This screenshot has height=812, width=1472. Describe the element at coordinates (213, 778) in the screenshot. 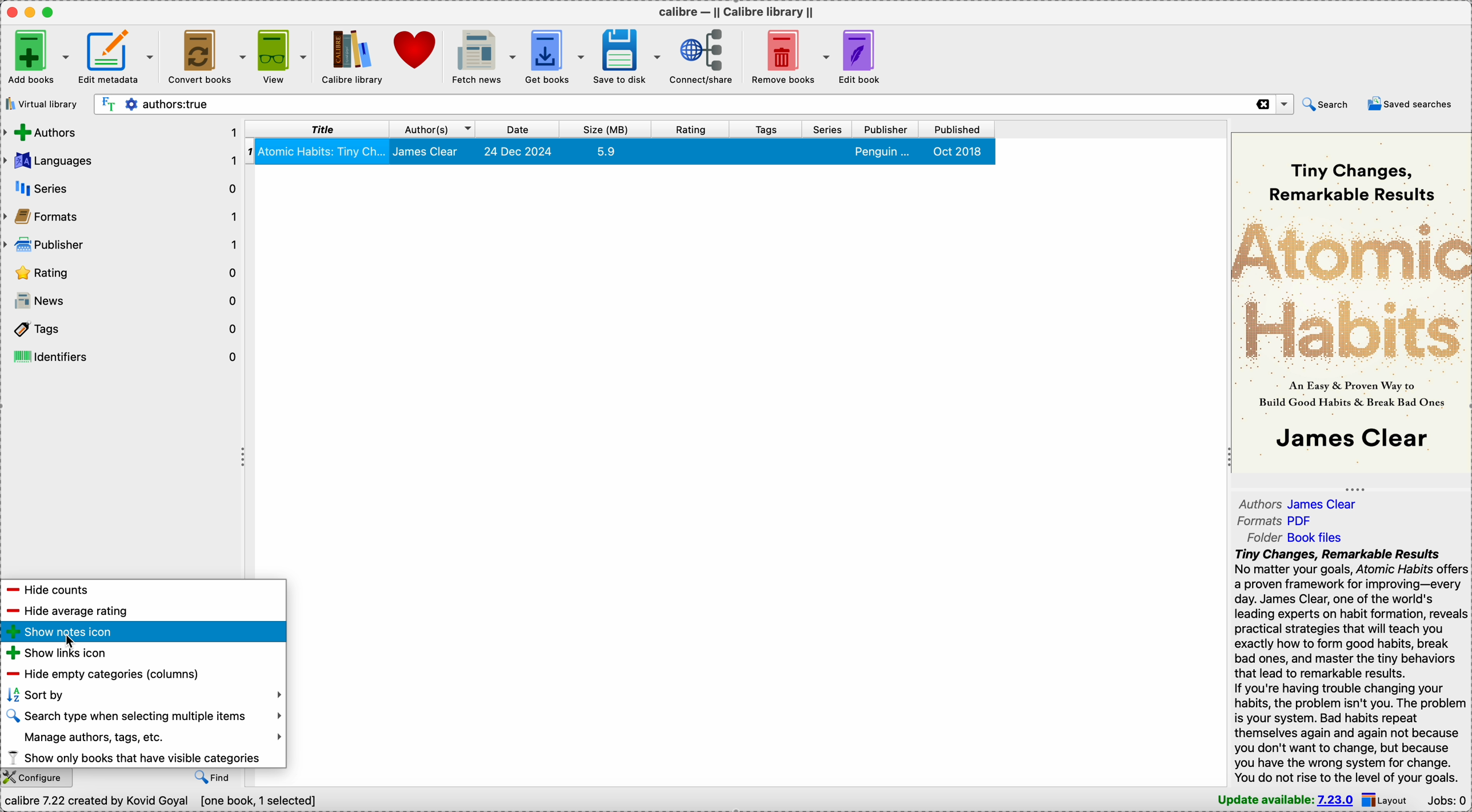

I see `find` at that location.